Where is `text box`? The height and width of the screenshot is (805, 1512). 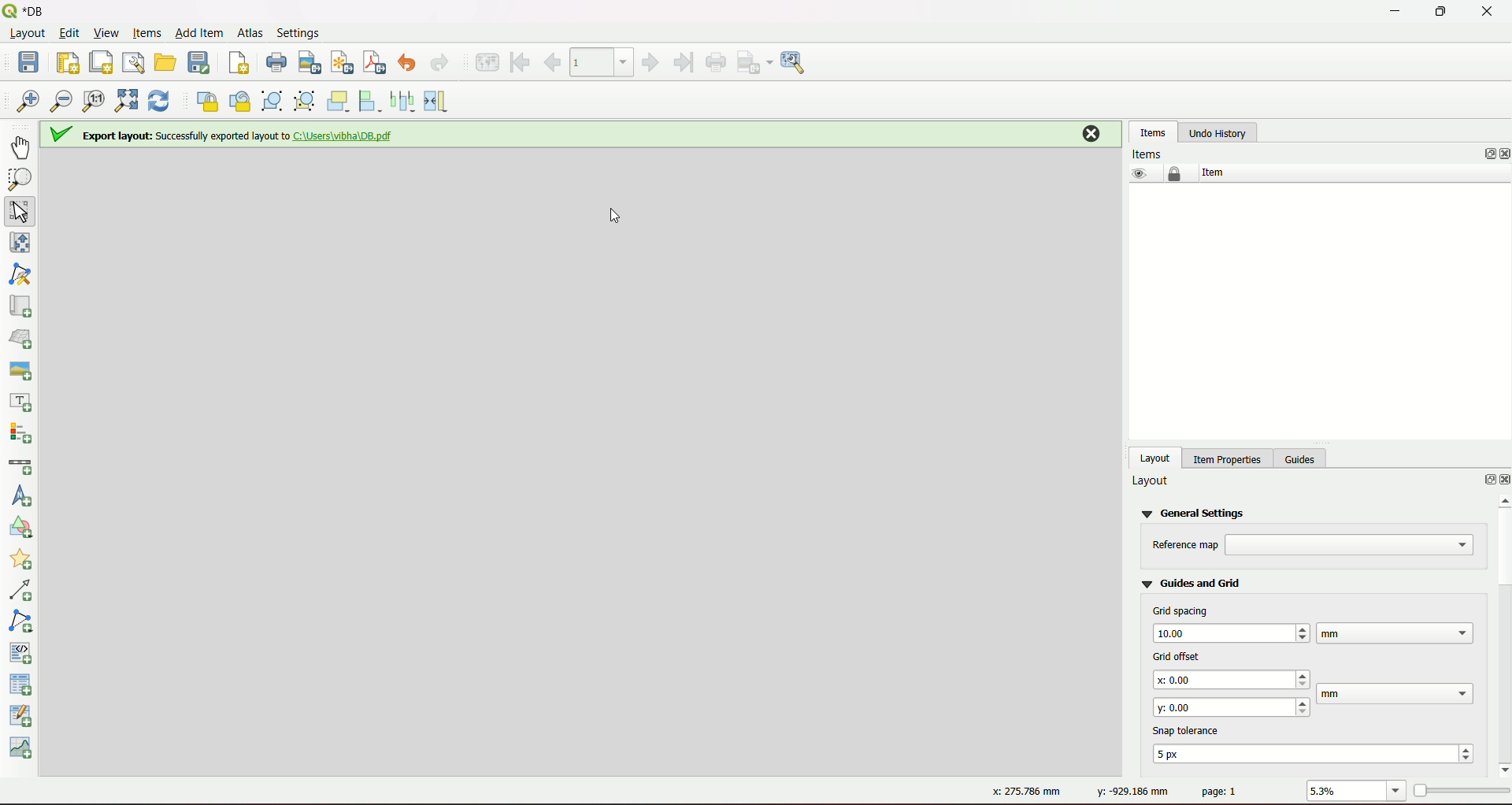 text box is located at coordinates (1232, 706).